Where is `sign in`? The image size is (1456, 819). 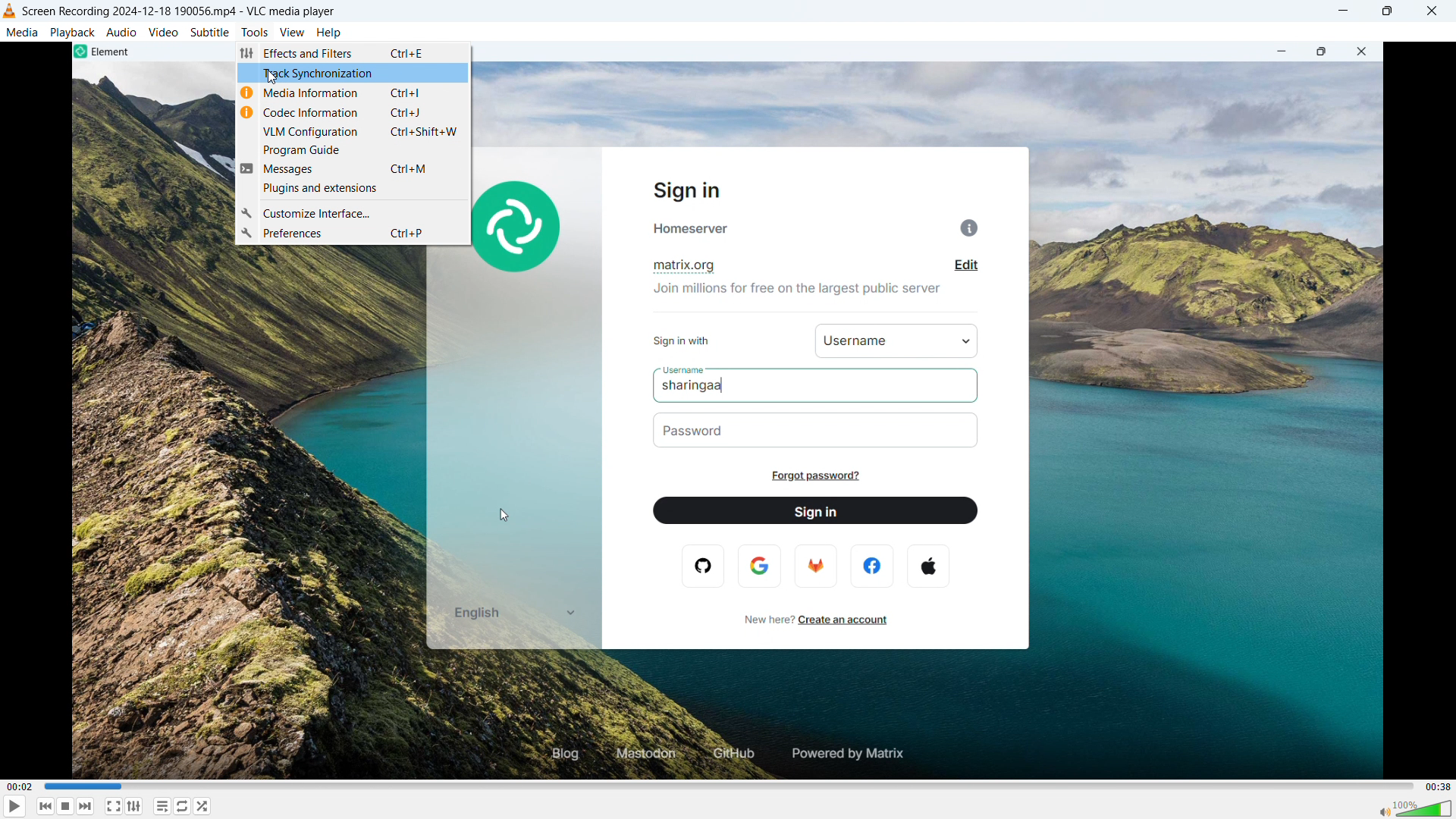 sign in is located at coordinates (817, 510).